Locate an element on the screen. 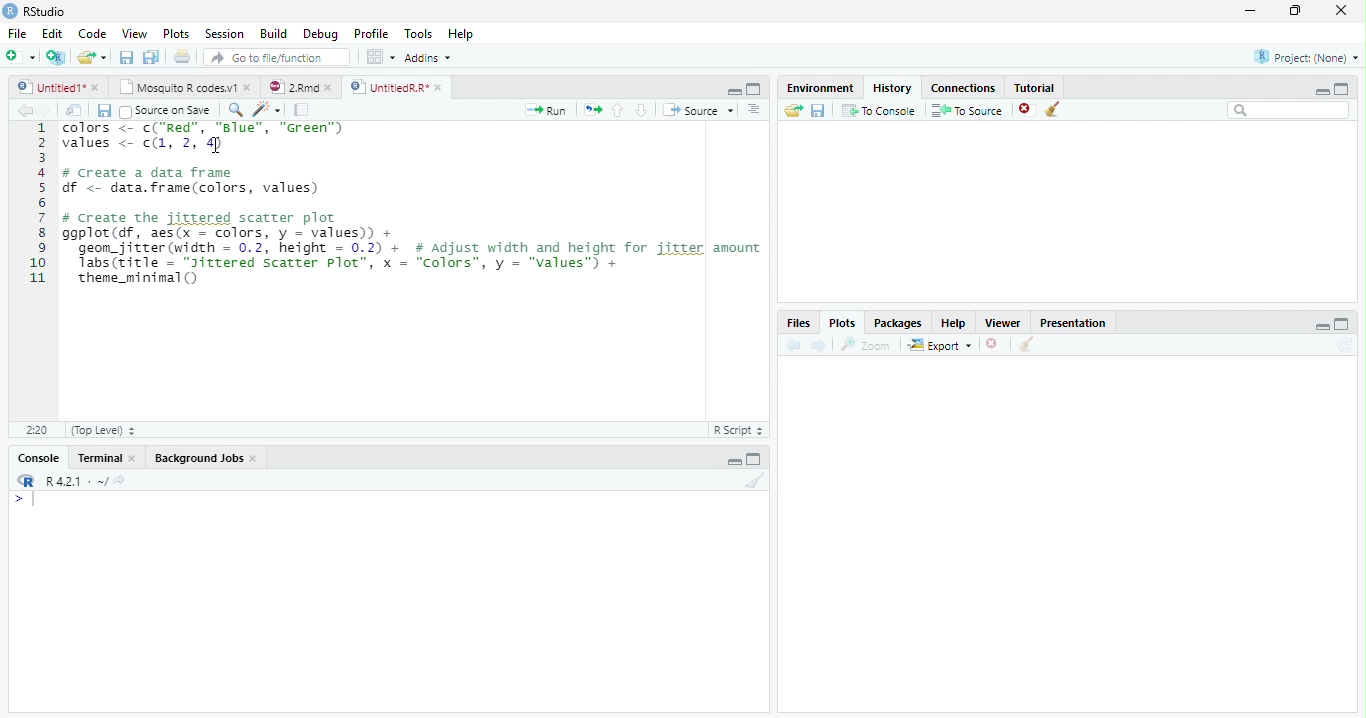 The height and width of the screenshot is (718, 1366). R 4.2.1 . ~/ is located at coordinates (76, 481).